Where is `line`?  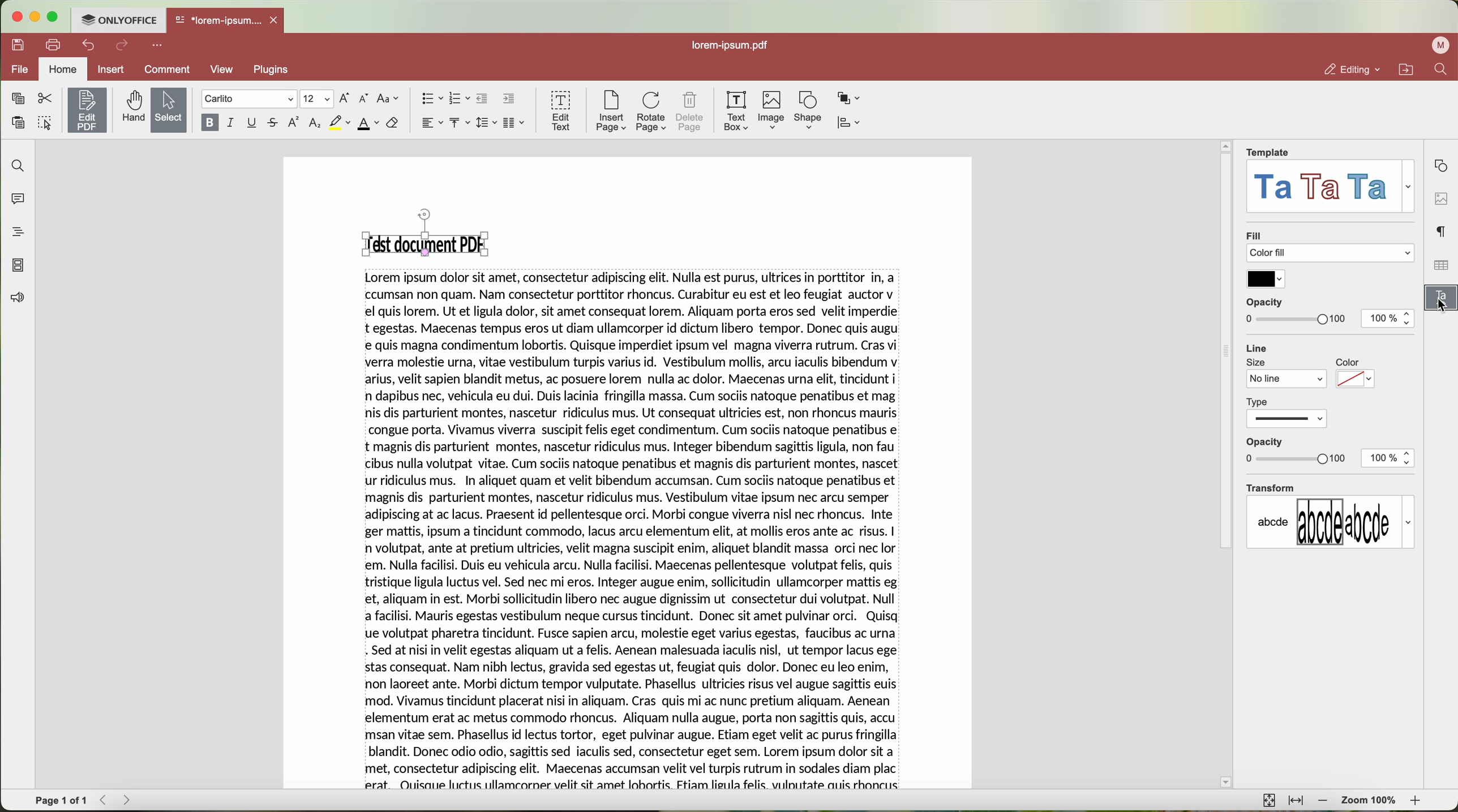
line is located at coordinates (1258, 346).